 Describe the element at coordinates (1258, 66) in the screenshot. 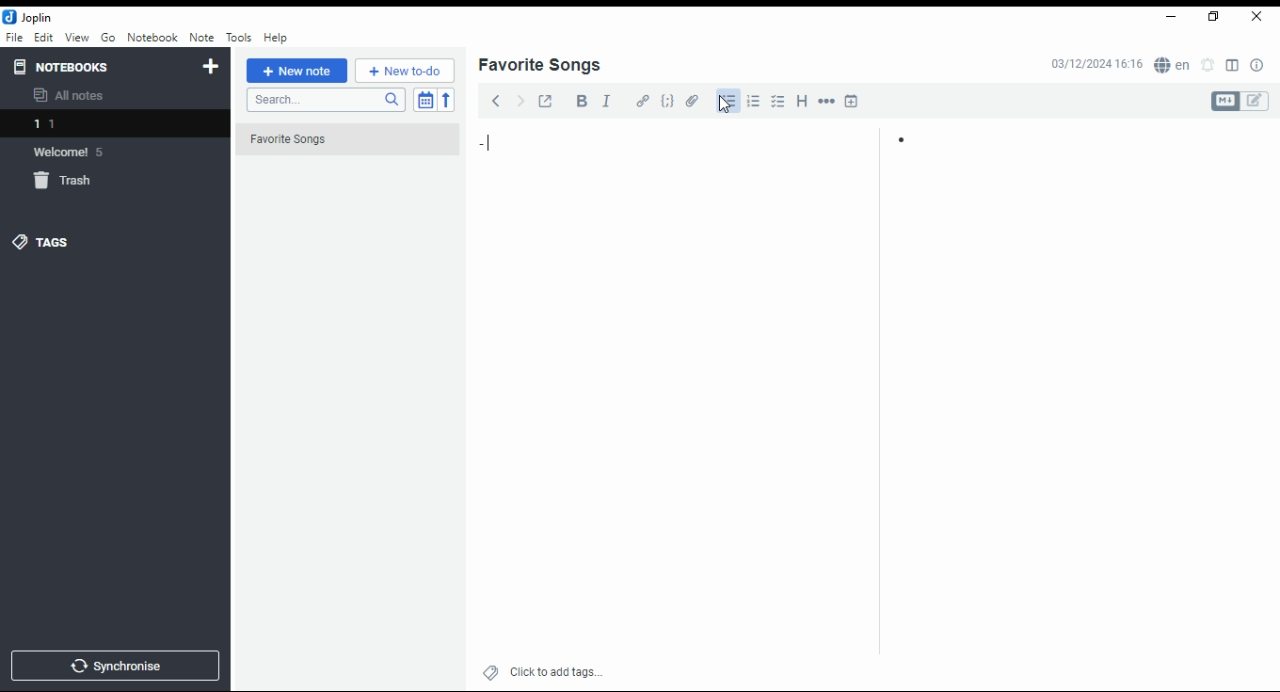

I see `note properties` at that location.